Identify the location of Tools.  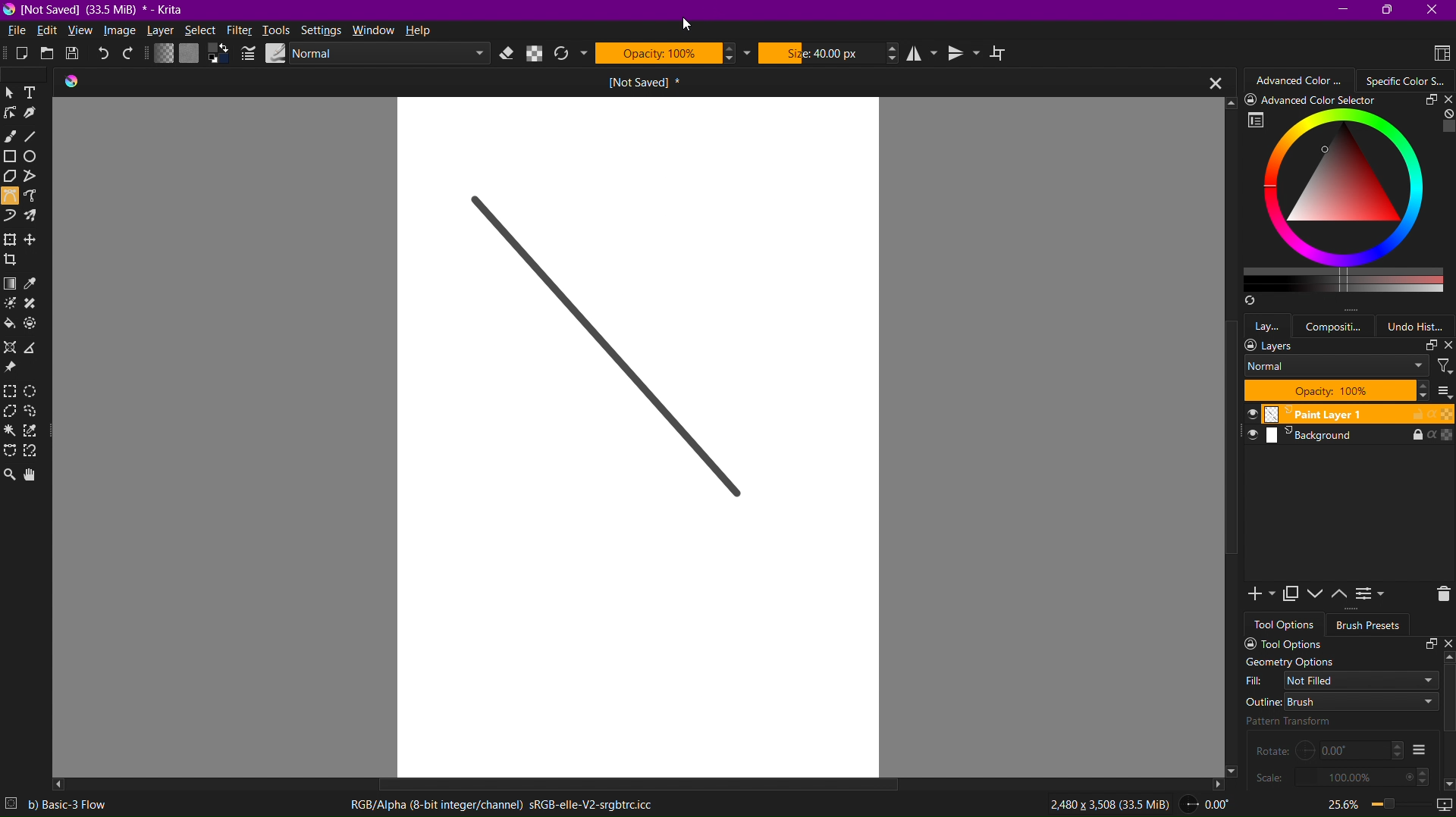
(278, 30).